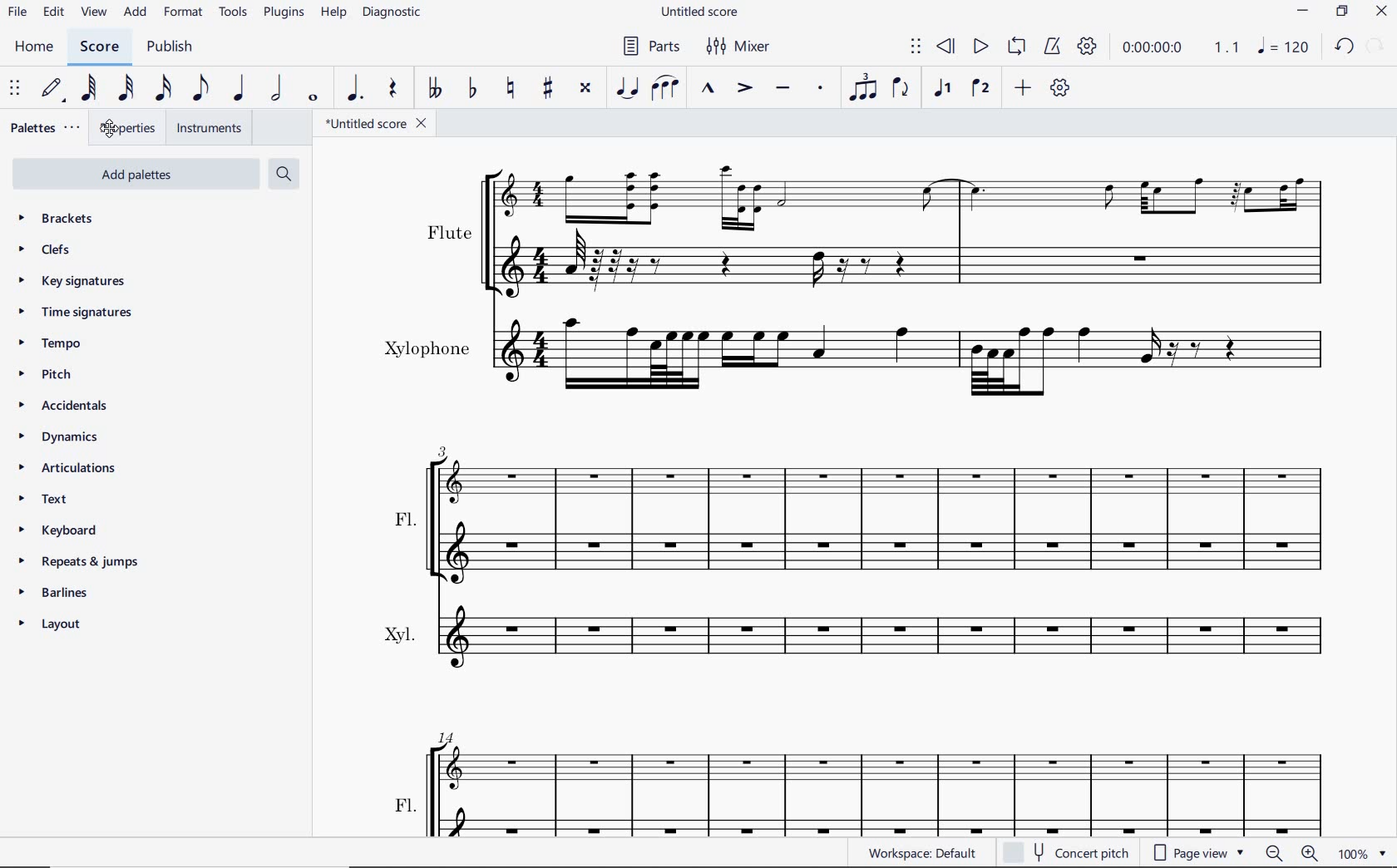 The width and height of the screenshot is (1397, 868). I want to click on page view, so click(1202, 854).